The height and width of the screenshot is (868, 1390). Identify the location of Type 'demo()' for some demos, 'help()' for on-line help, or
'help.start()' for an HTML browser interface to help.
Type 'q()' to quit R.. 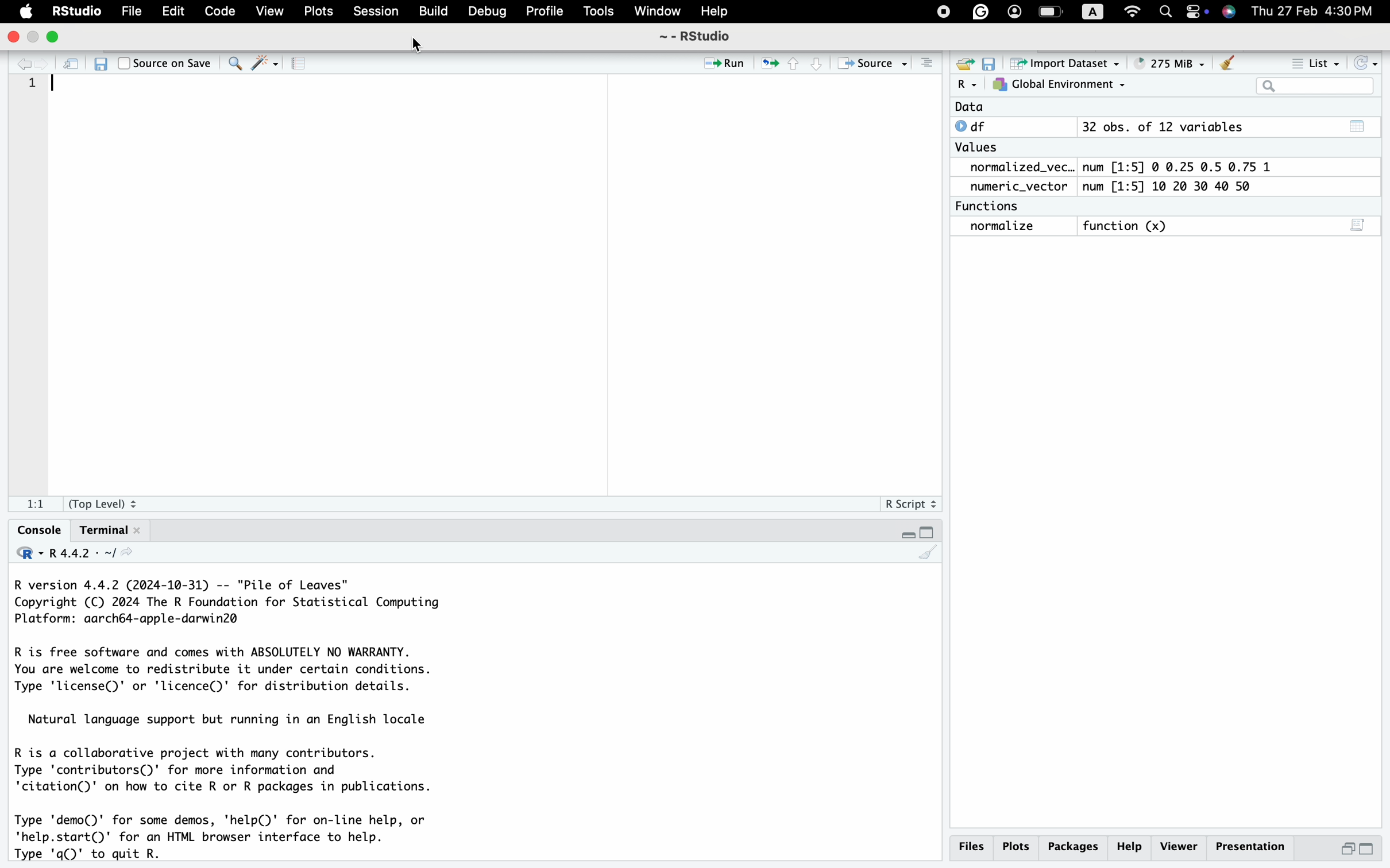
(240, 837).